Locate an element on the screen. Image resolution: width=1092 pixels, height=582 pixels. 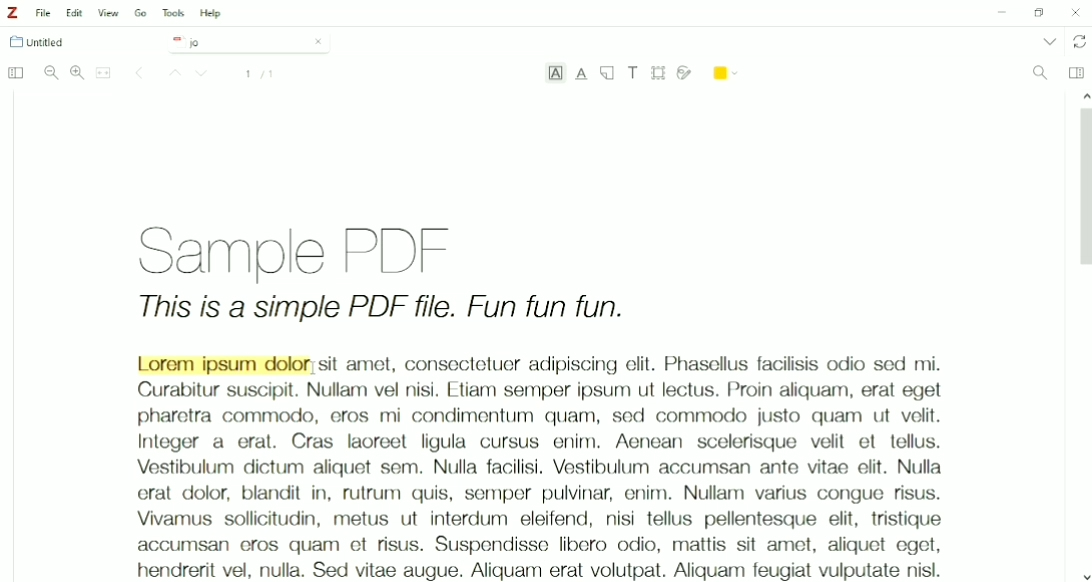
Close is located at coordinates (1076, 12).